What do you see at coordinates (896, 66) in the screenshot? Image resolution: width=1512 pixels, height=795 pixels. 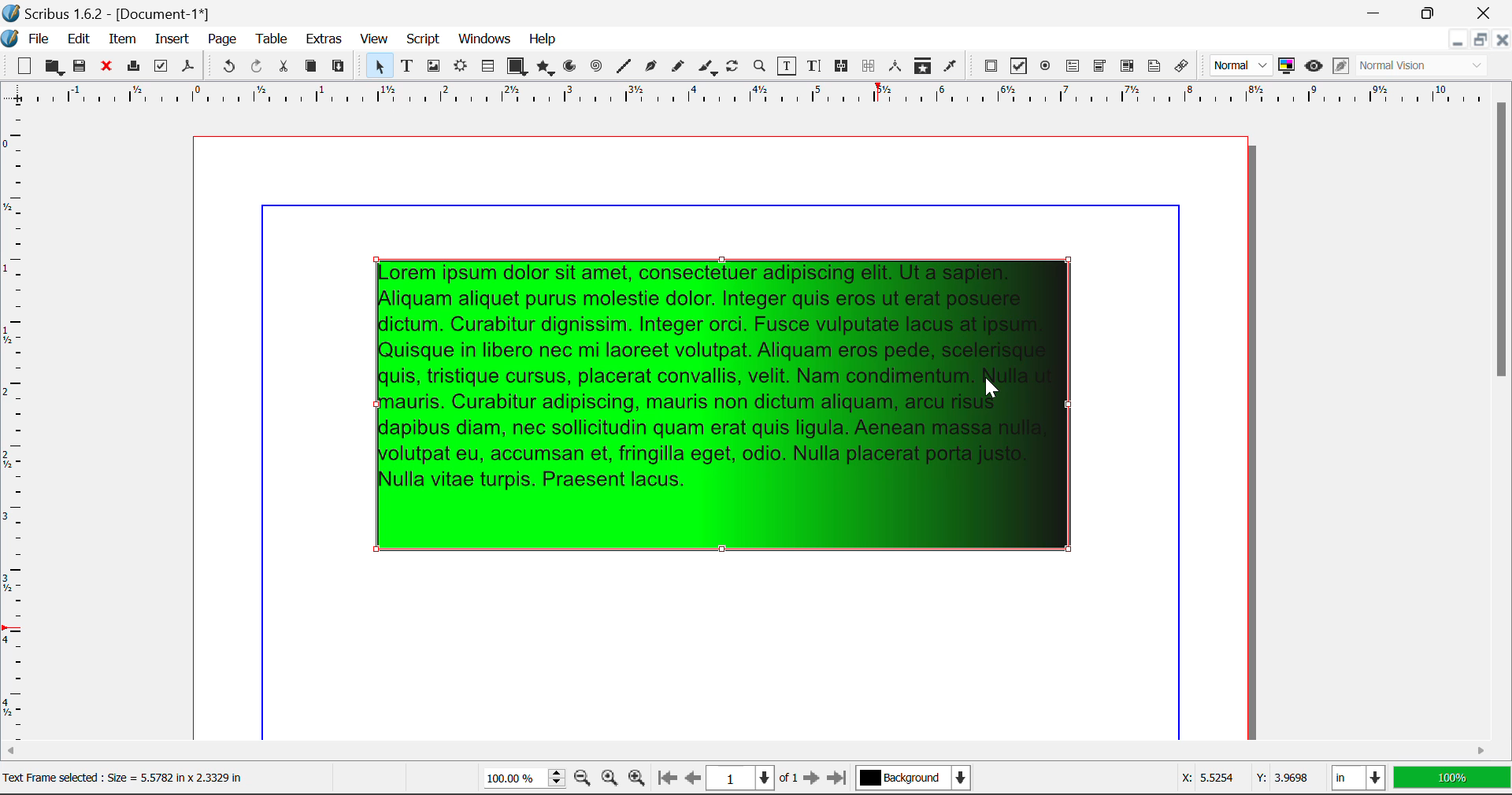 I see `Measurements` at bounding box center [896, 66].